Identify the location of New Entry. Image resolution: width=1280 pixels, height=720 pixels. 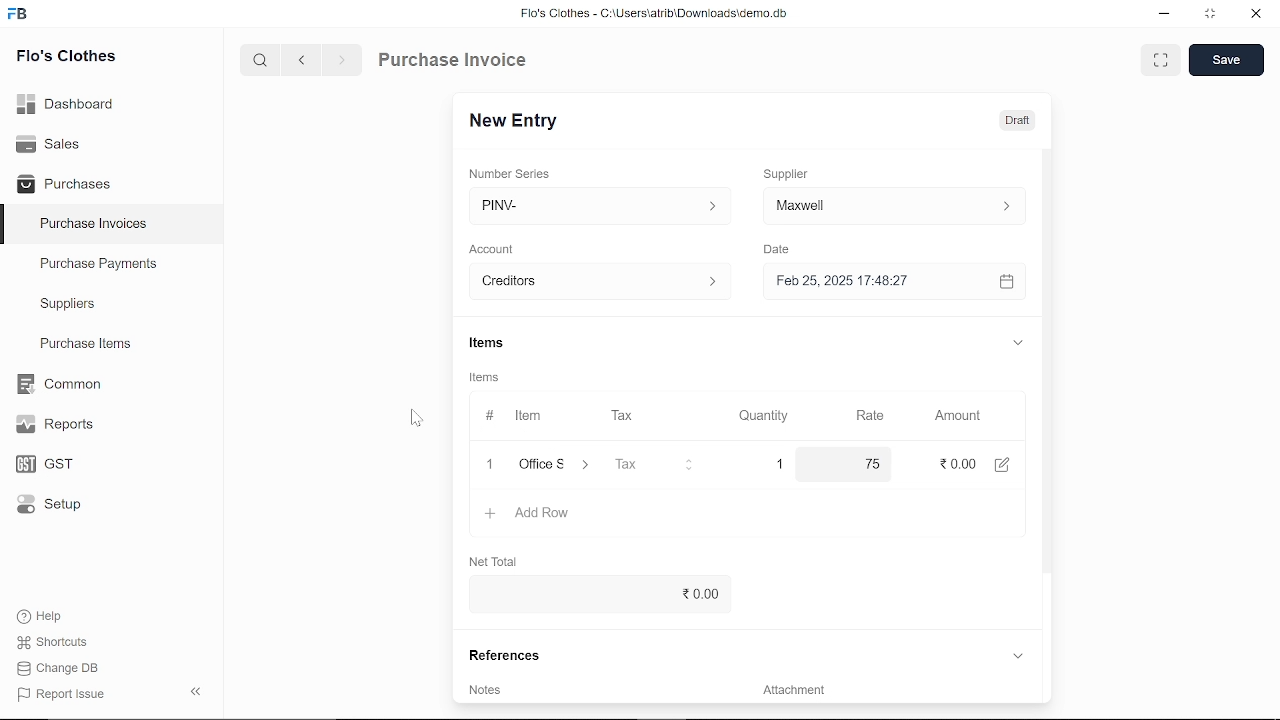
(518, 119).